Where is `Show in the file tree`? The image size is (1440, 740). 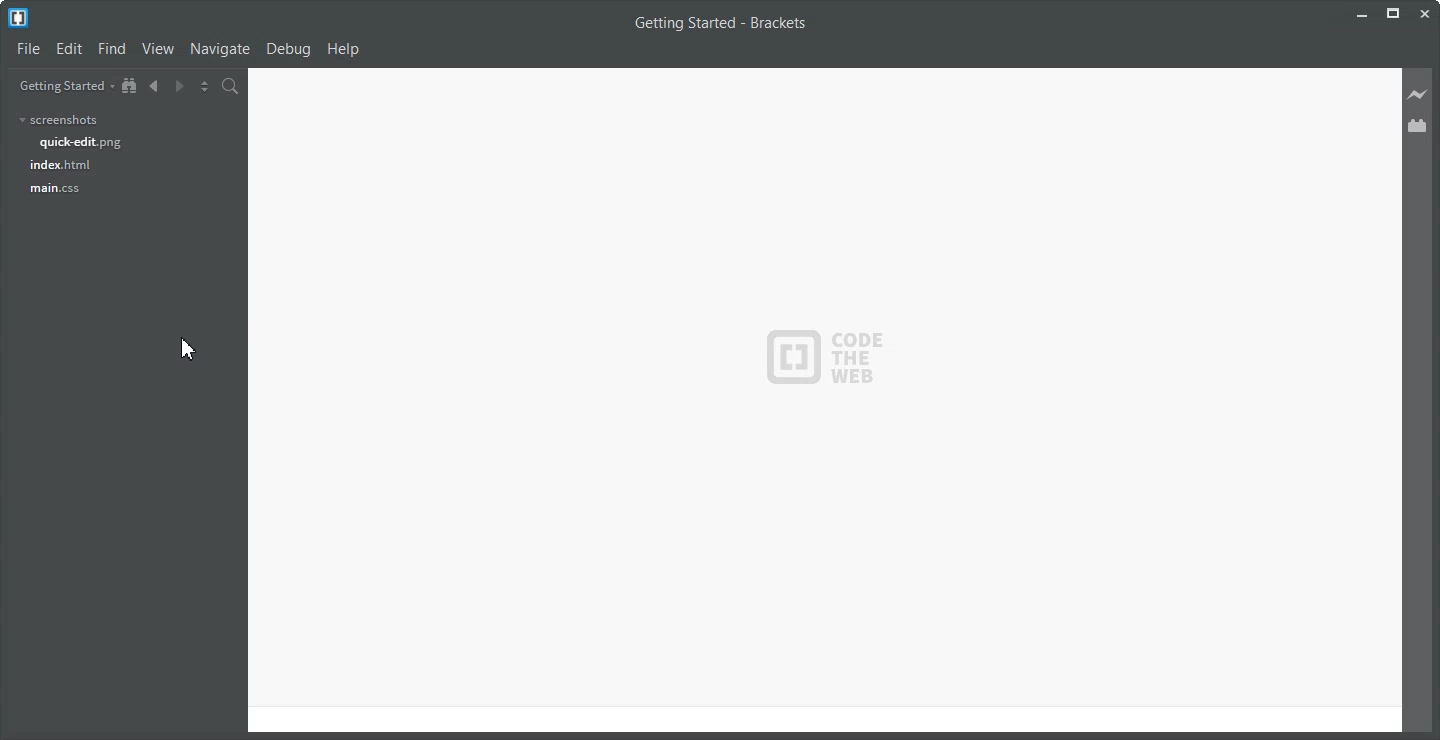 Show in the file tree is located at coordinates (130, 85).